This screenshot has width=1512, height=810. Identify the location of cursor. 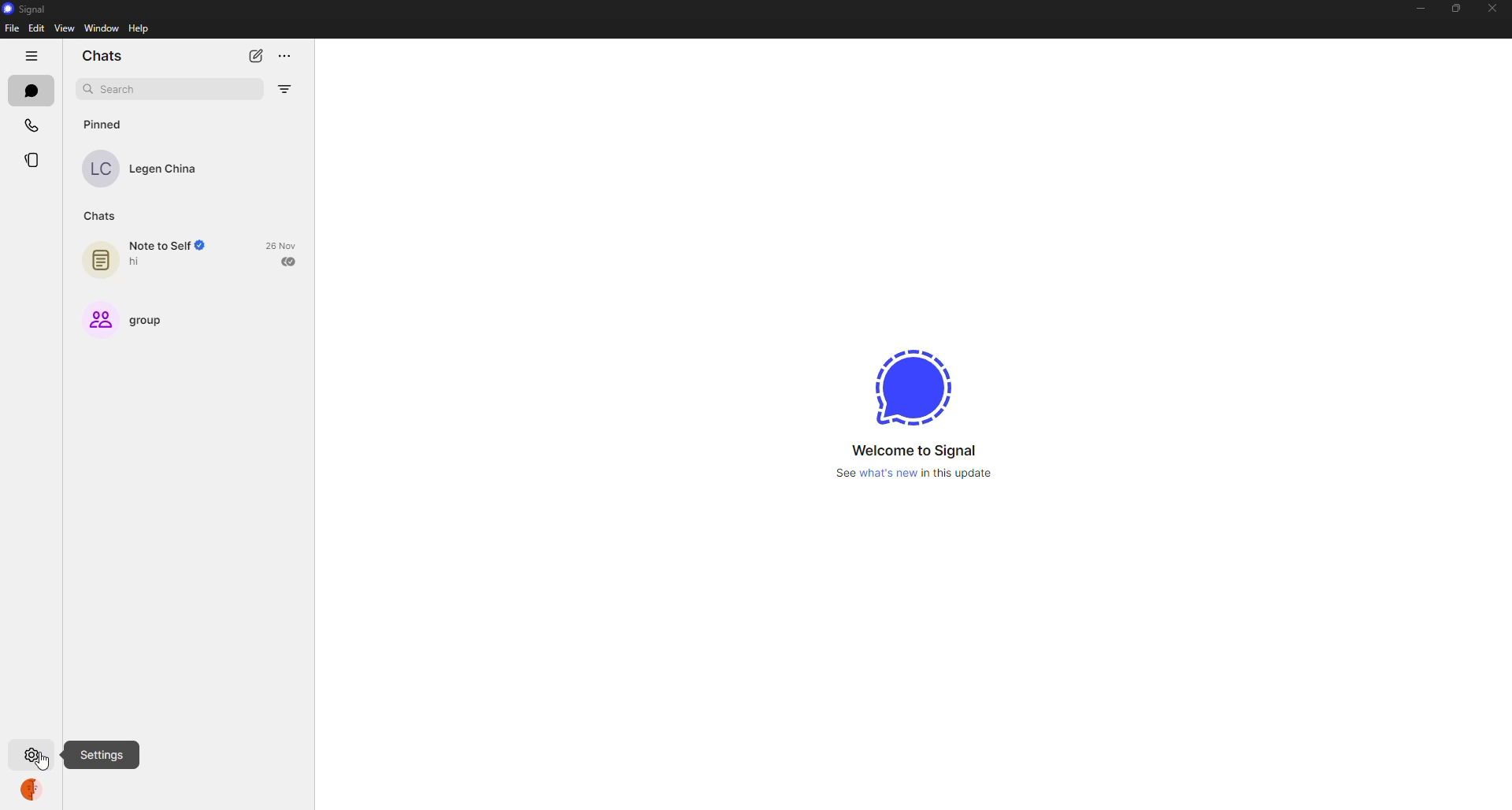
(45, 764).